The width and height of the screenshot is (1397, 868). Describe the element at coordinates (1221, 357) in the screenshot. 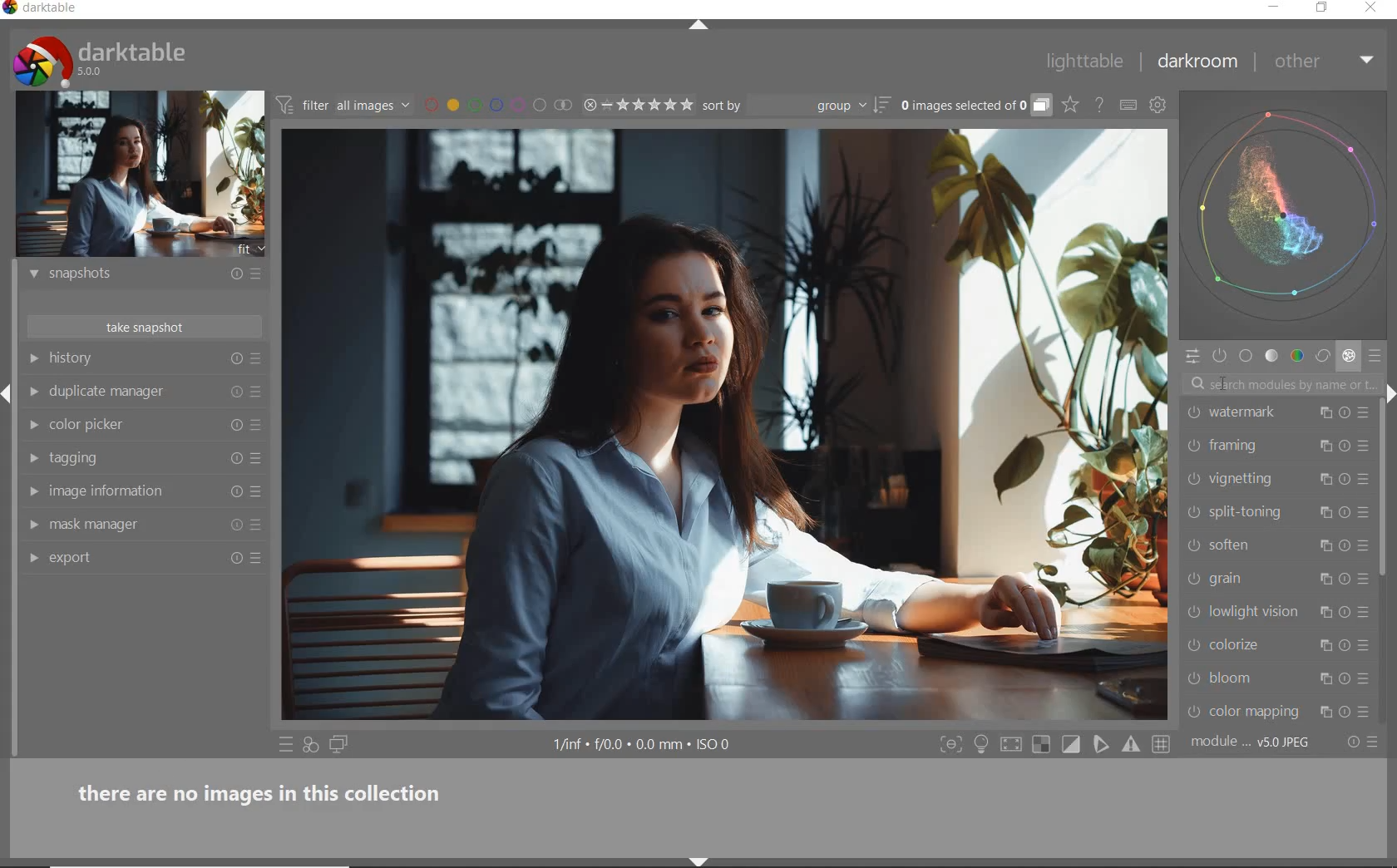

I see `show only active modules` at that location.